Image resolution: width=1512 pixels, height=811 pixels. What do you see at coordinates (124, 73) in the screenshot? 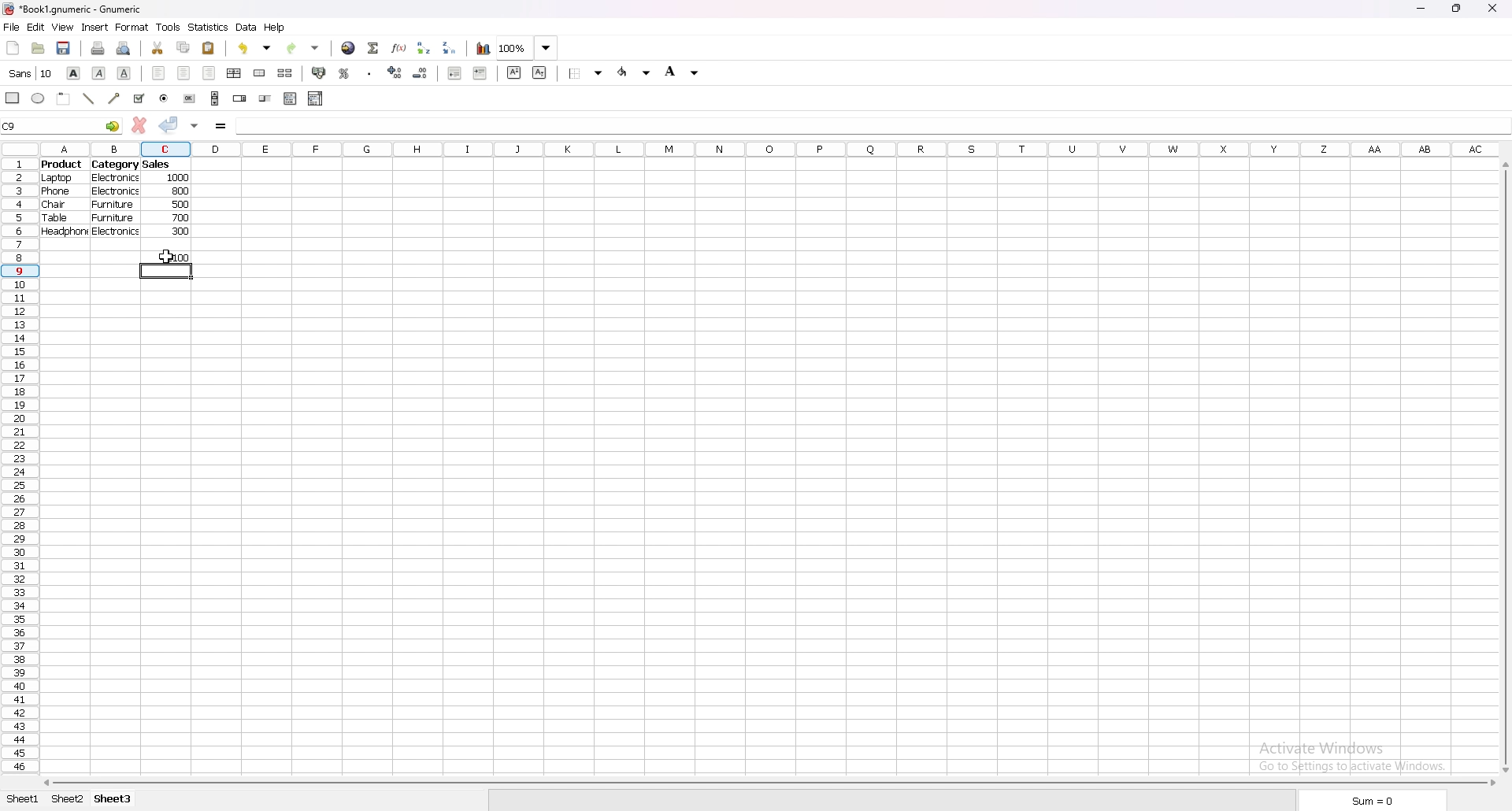
I see `underline` at bounding box center [124, 73].